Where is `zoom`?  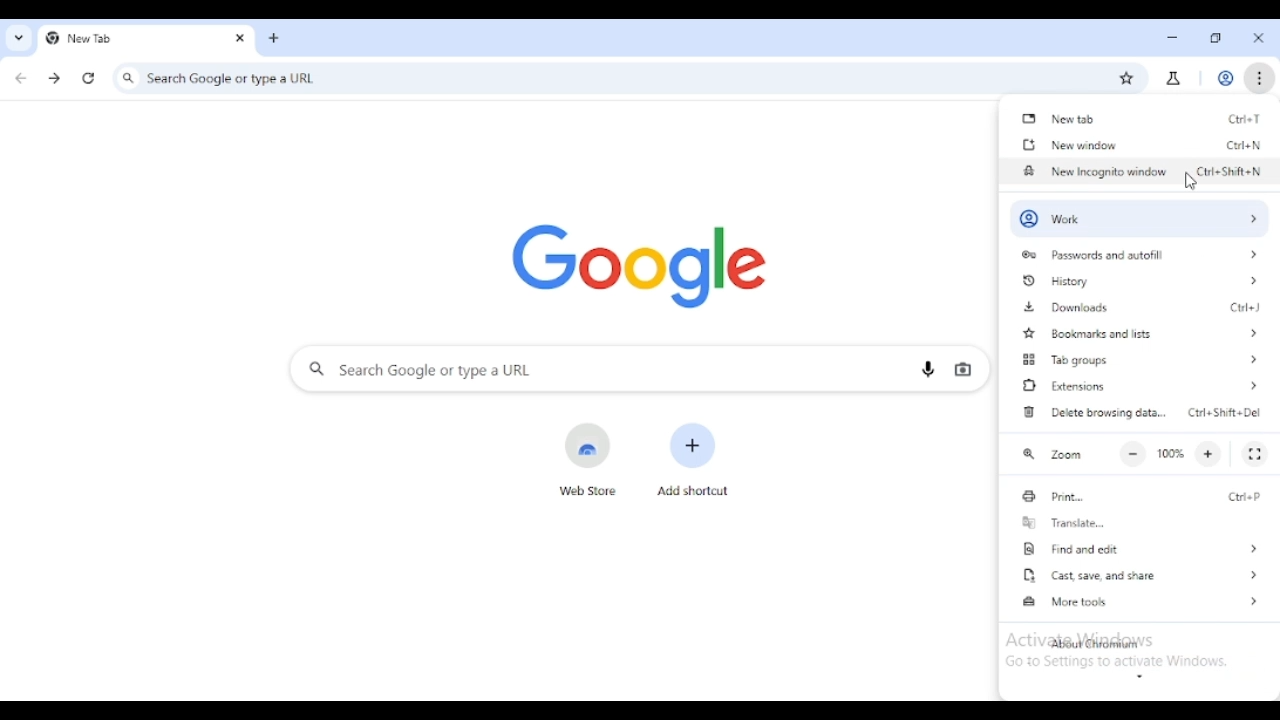 zoom is located at coordinates (1050, 454).